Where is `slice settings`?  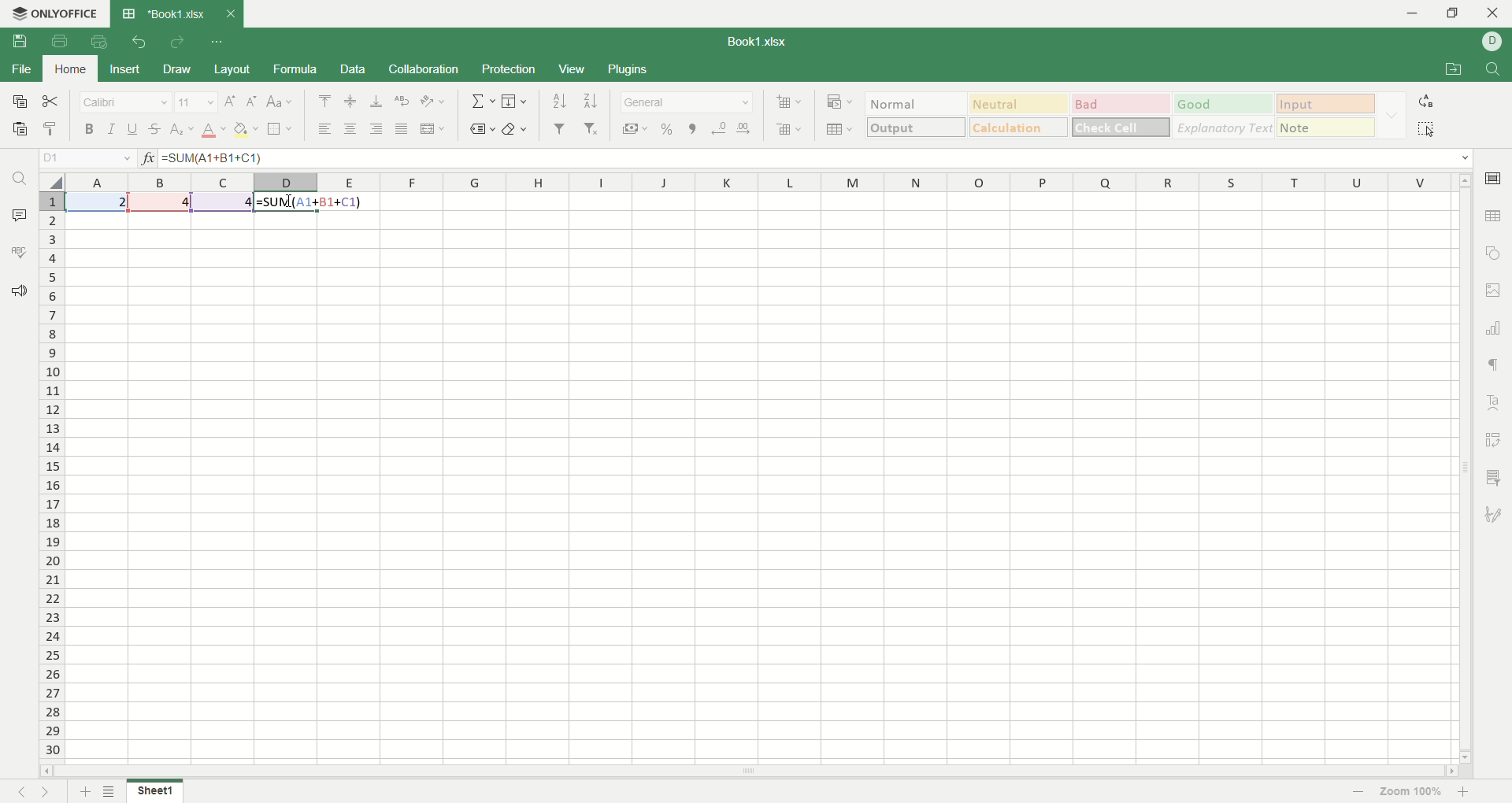
slice settings is located at coordinates (1494, 481).